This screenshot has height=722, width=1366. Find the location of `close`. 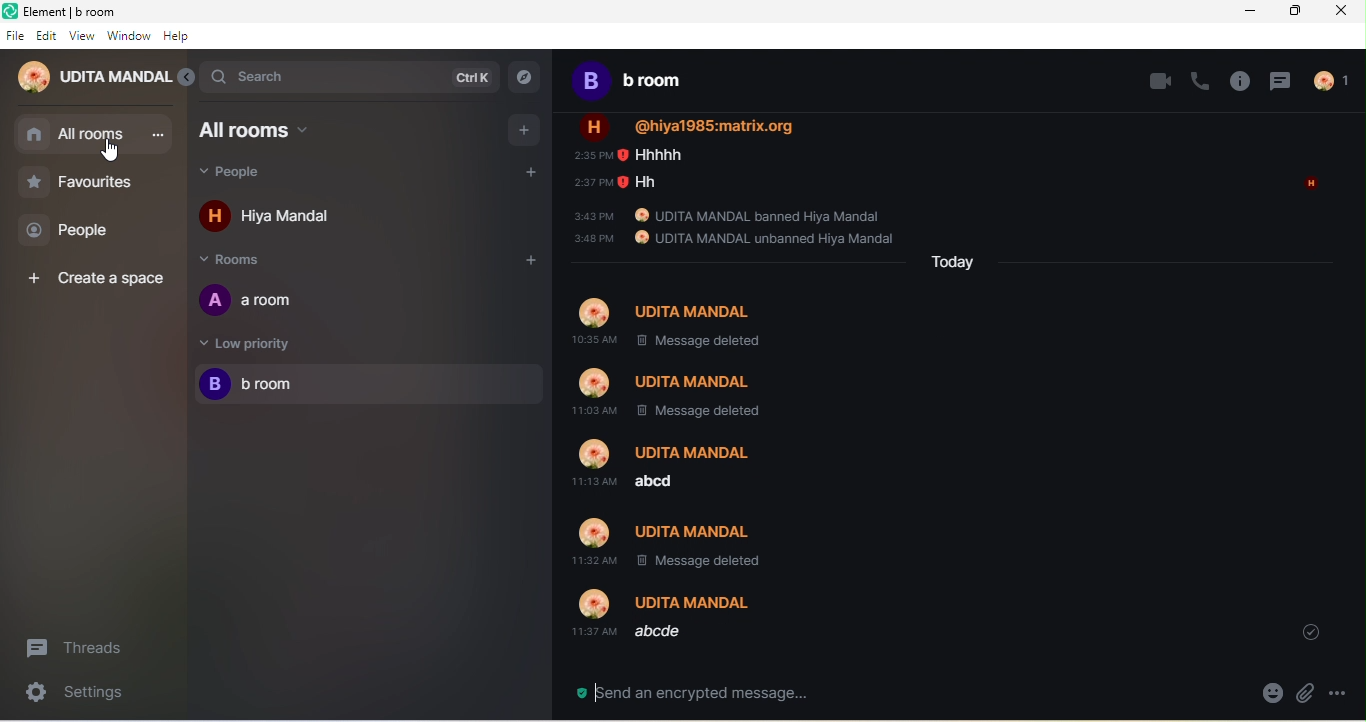

close is located at coordinates (1344, 14).